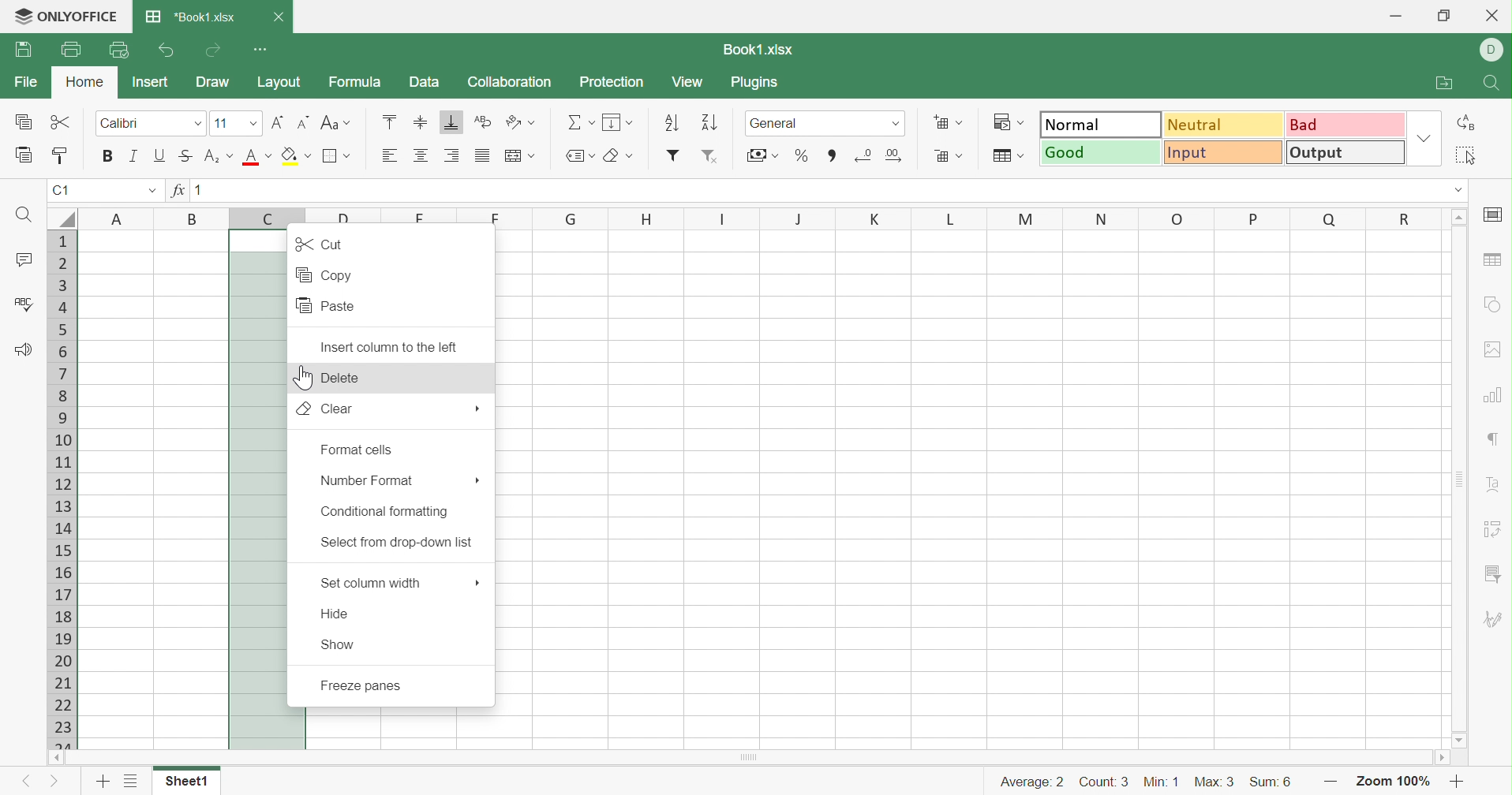 The image size is (1512, 795). Describe the element at coordinates (475, 410) in the screenshot. I see `More` at that location.